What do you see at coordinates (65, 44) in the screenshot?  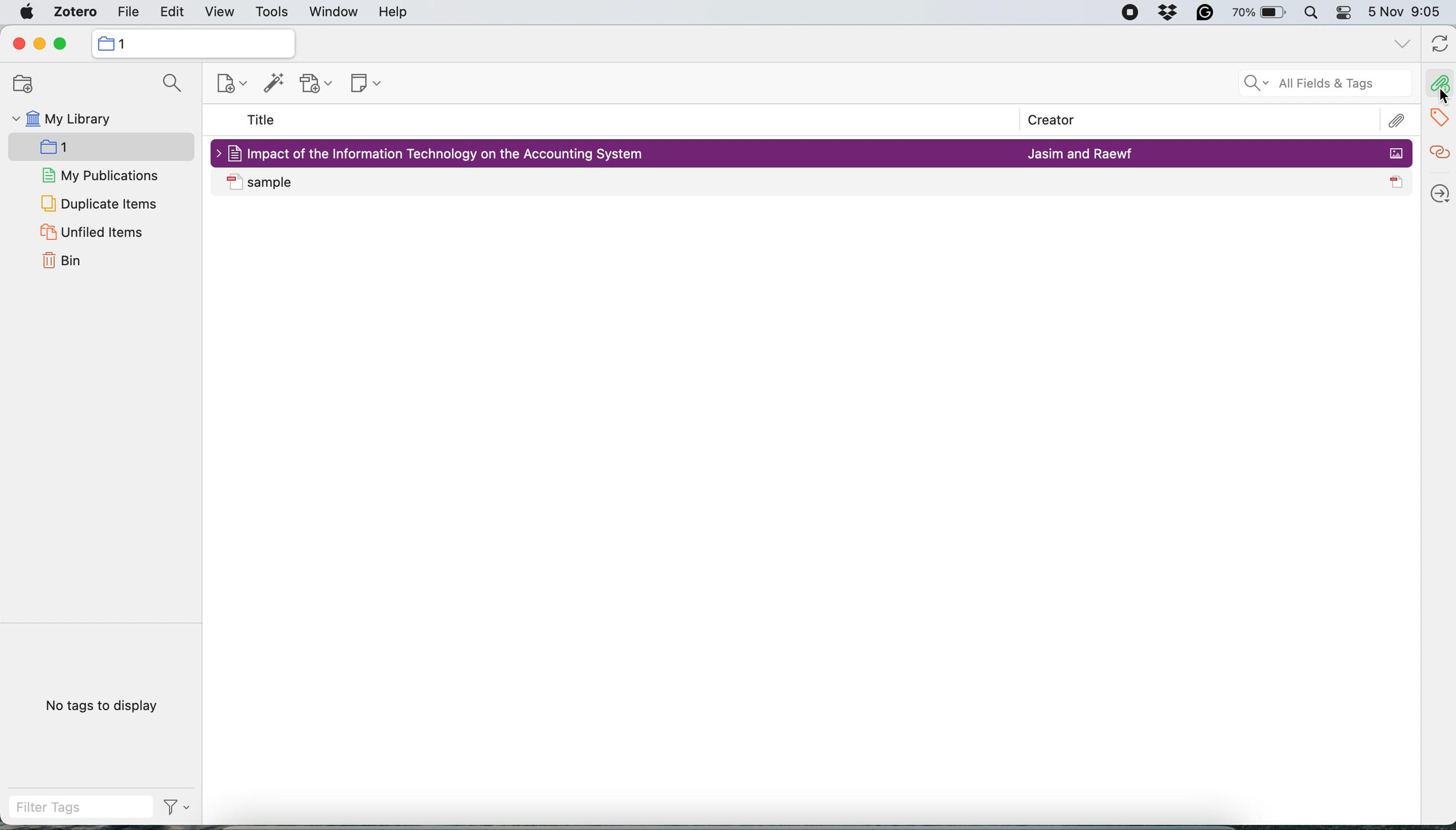 I see `maximise` at bounding box center [65, 44].